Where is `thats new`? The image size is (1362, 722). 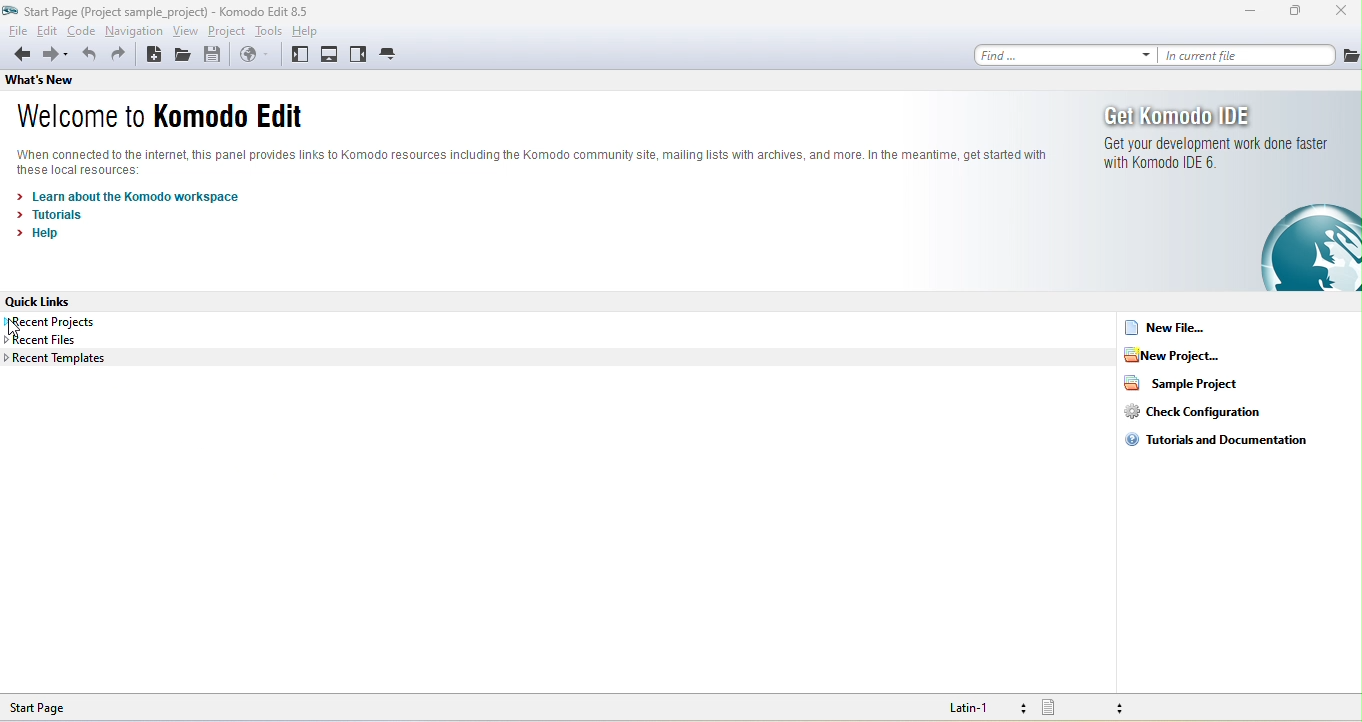 thats new is located at coordinates (39, 78).